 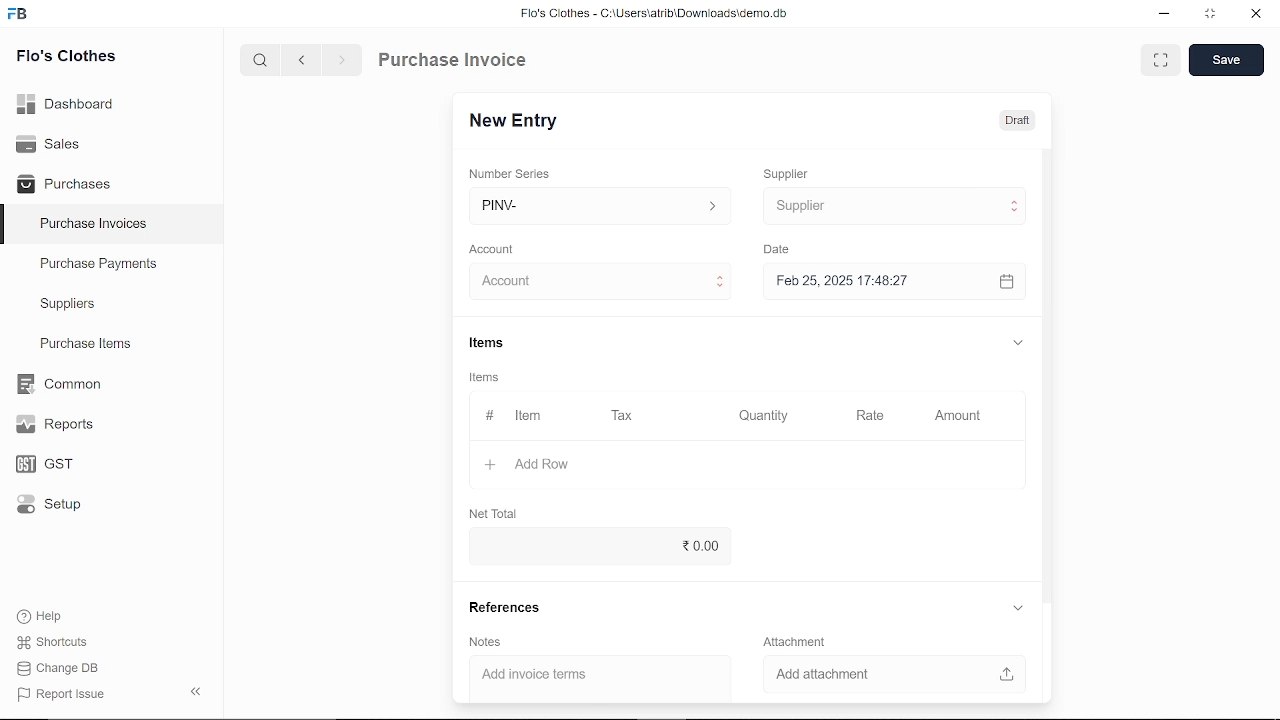 I want to click on Amount, so click(x=956, y=414).